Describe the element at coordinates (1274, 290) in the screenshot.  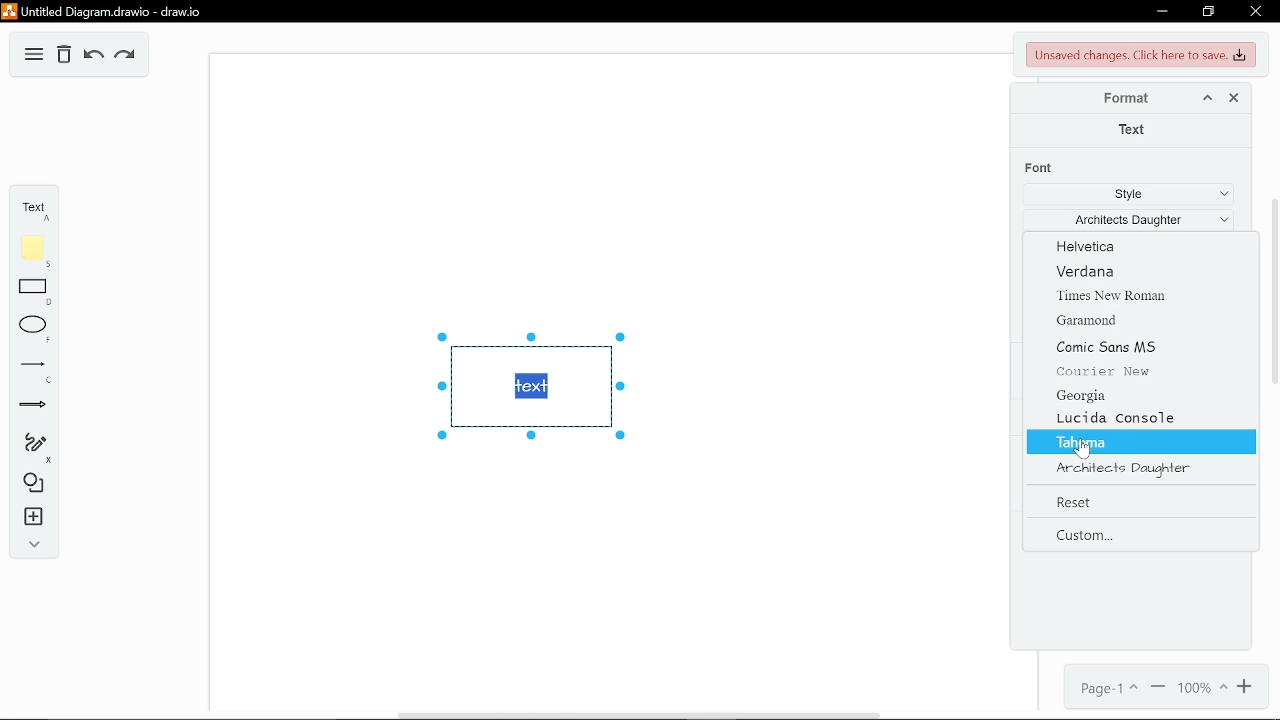
I see `vertical scrollbar` at that location.